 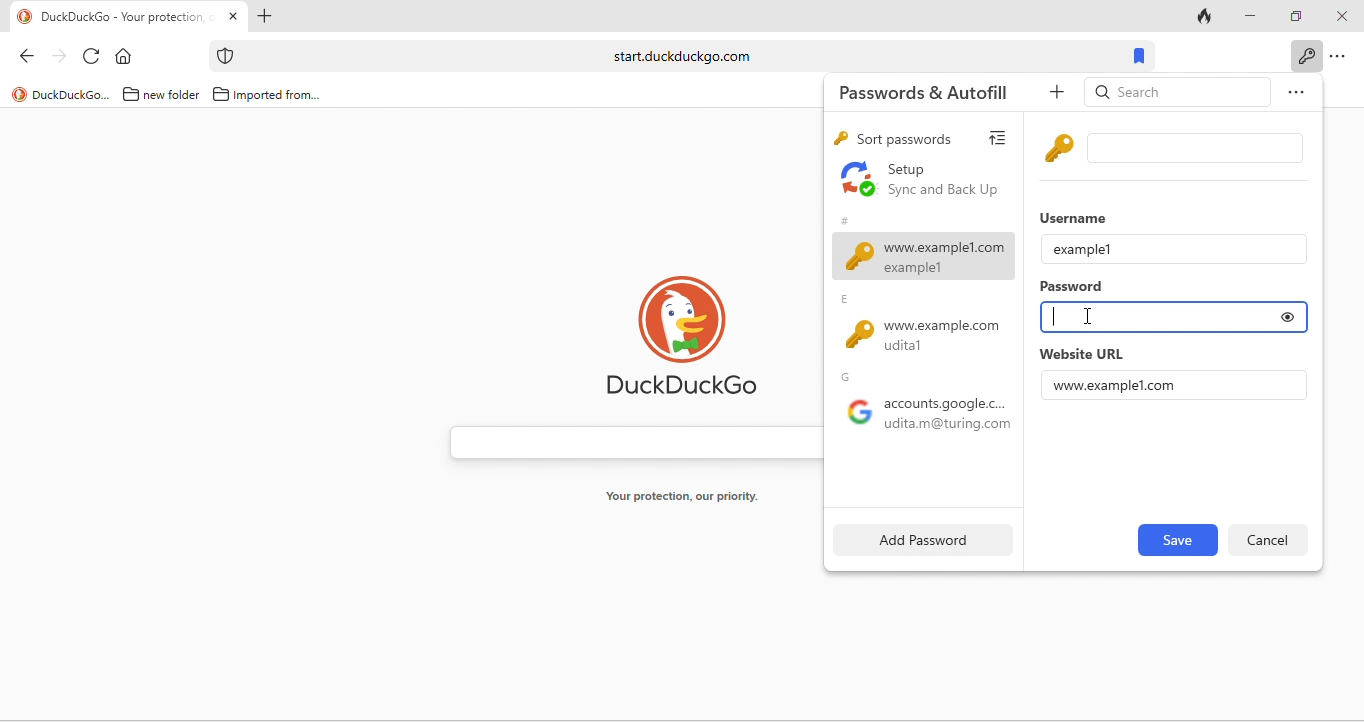 What do you see at coordinates (25, 17) in the screenshot?
I see `logo` at bounding box center [25, 17].